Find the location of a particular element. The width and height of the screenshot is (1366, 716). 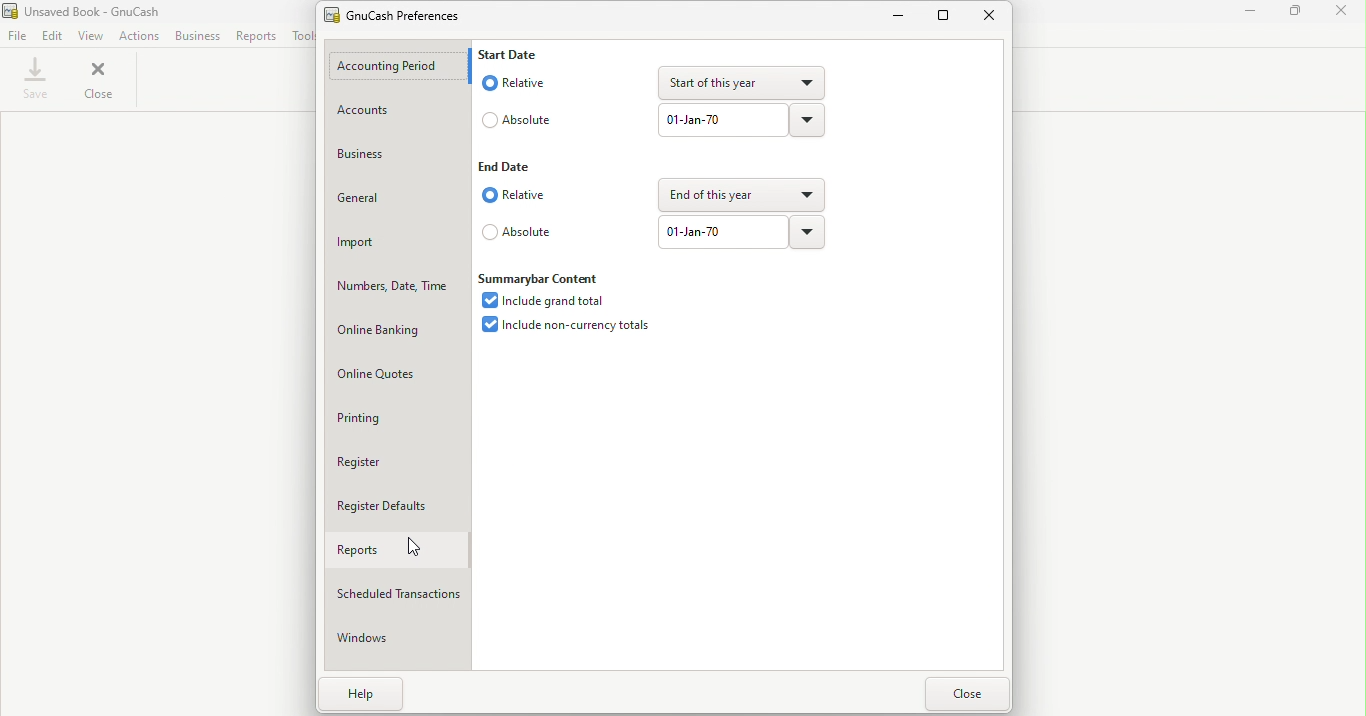

Close is located at coordinates (995, 19).